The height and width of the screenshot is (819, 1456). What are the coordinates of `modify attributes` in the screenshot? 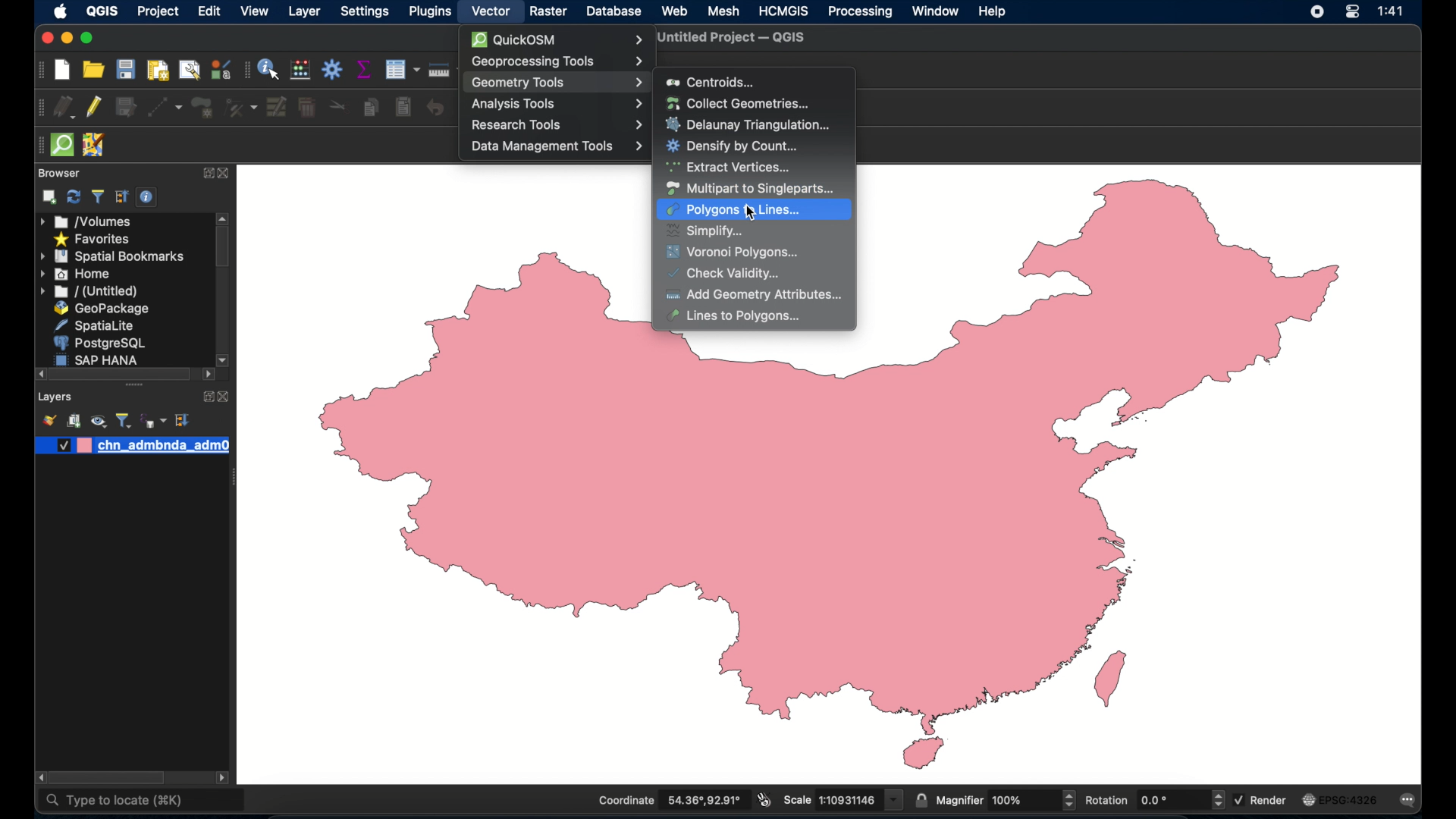 It's located at (278, 107).